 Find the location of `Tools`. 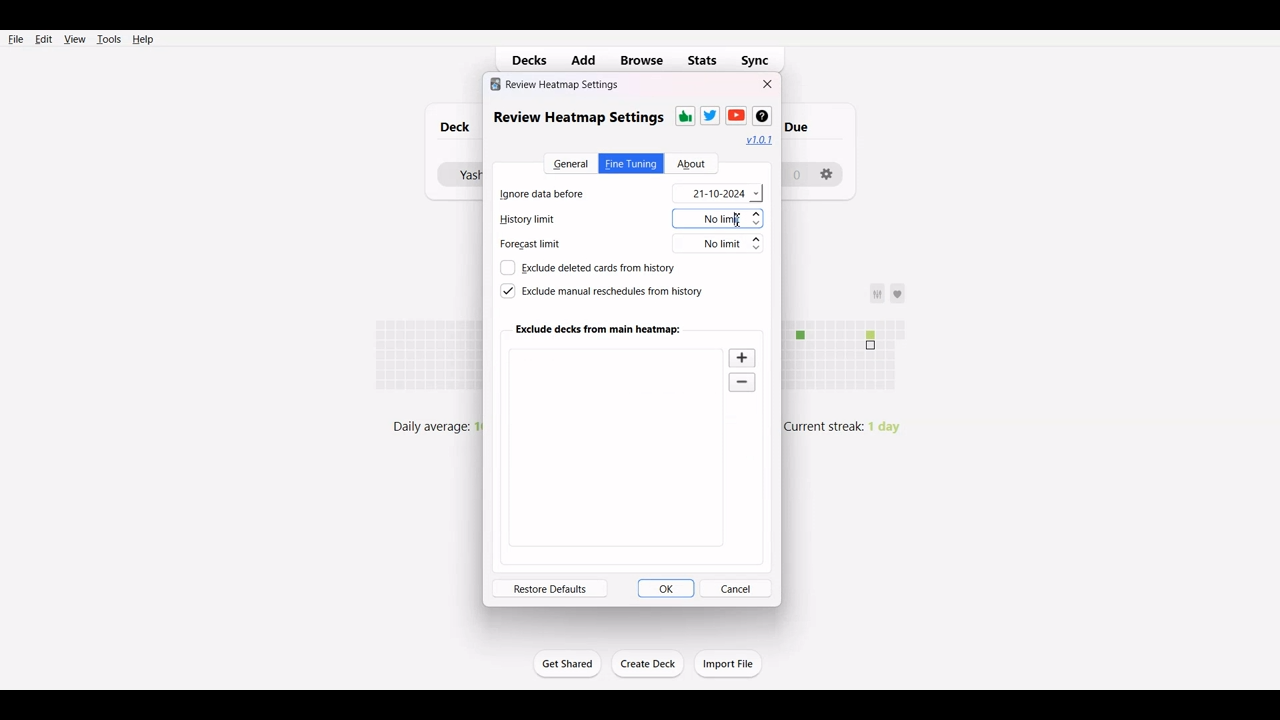

Tools is located at coordinates (108, 39).